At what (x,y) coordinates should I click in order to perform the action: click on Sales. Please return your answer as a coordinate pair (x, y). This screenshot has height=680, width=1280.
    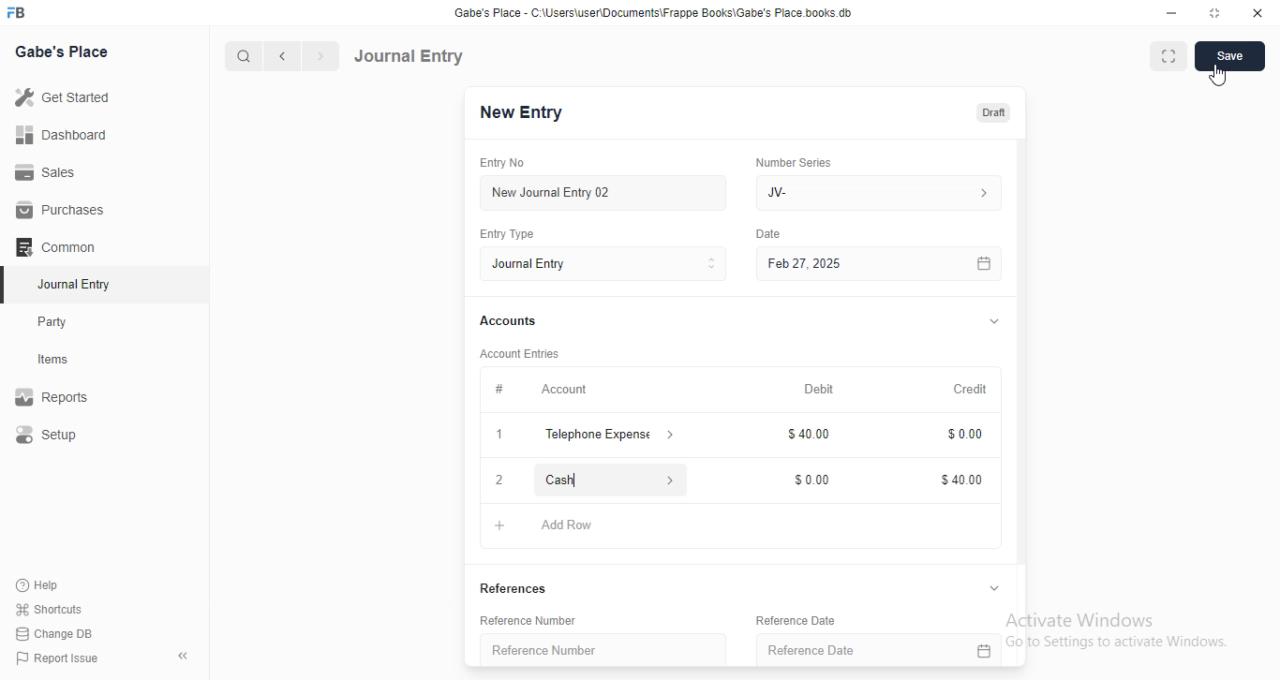
    Looking at the image, I should click on (49, 174).